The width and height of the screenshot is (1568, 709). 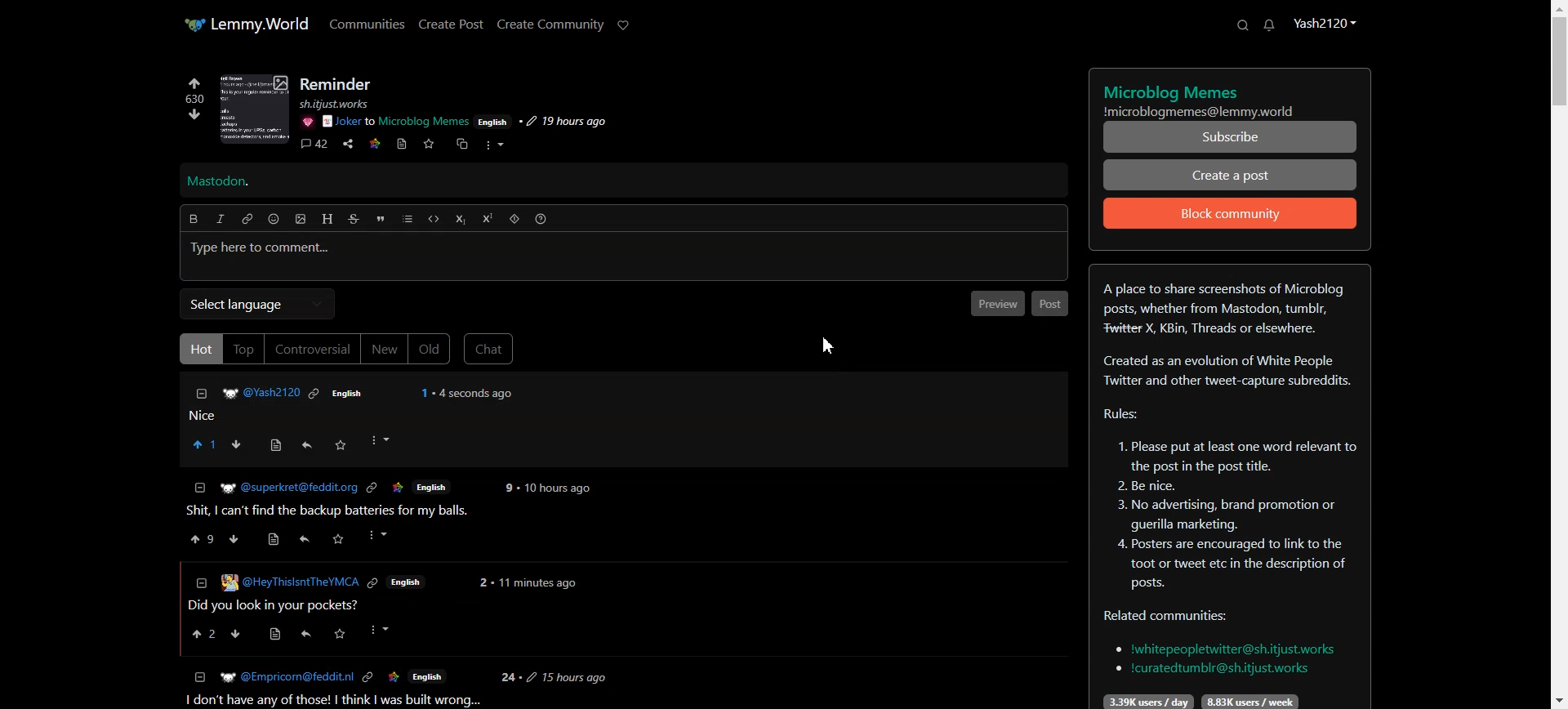 I want to click on Italic, so click(x=220, y=219).